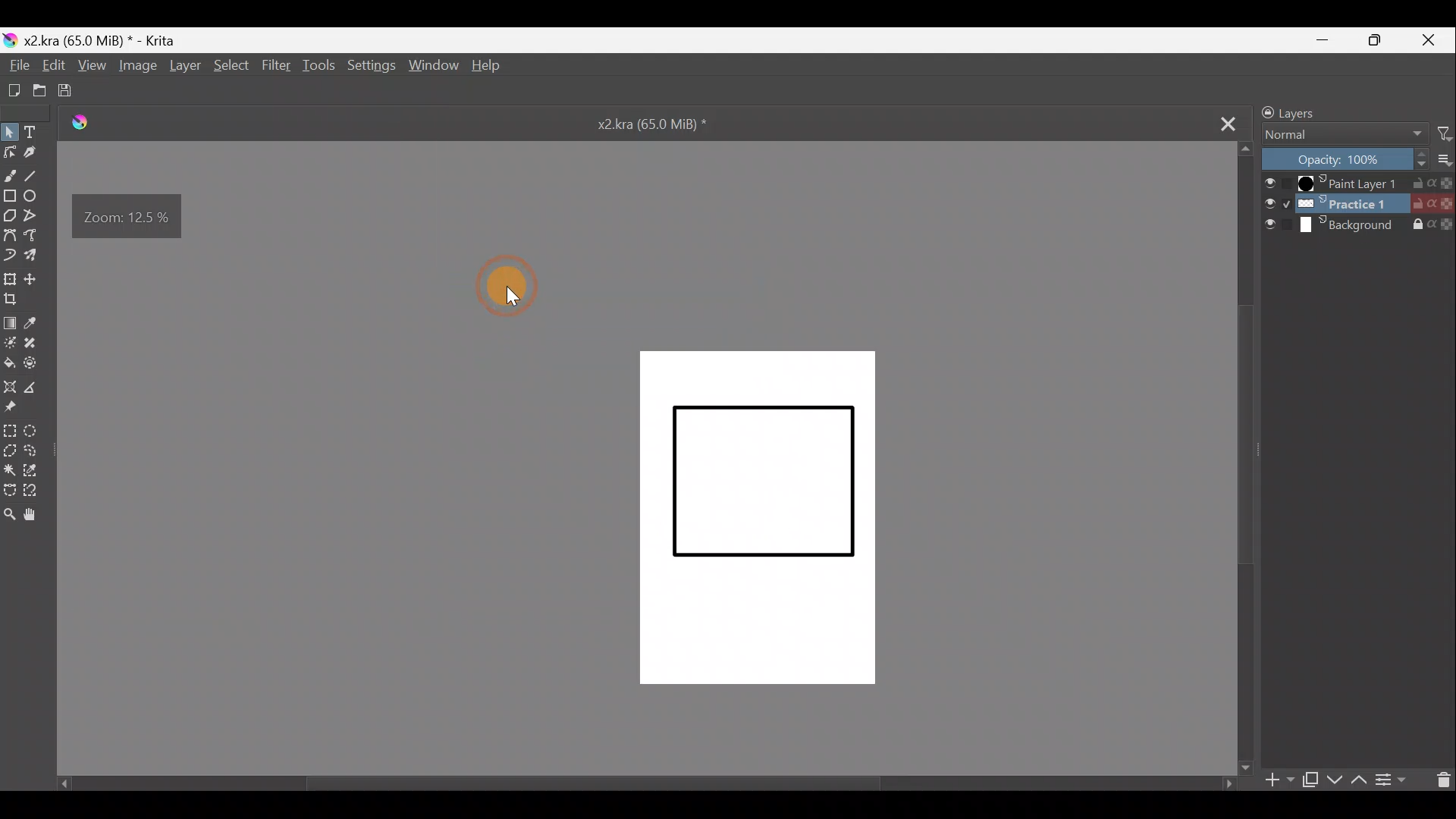  What do you see at coordinates (1240, 462) in the screenshot?
I see `Scroll bar` at bounding box center [1240, 462].